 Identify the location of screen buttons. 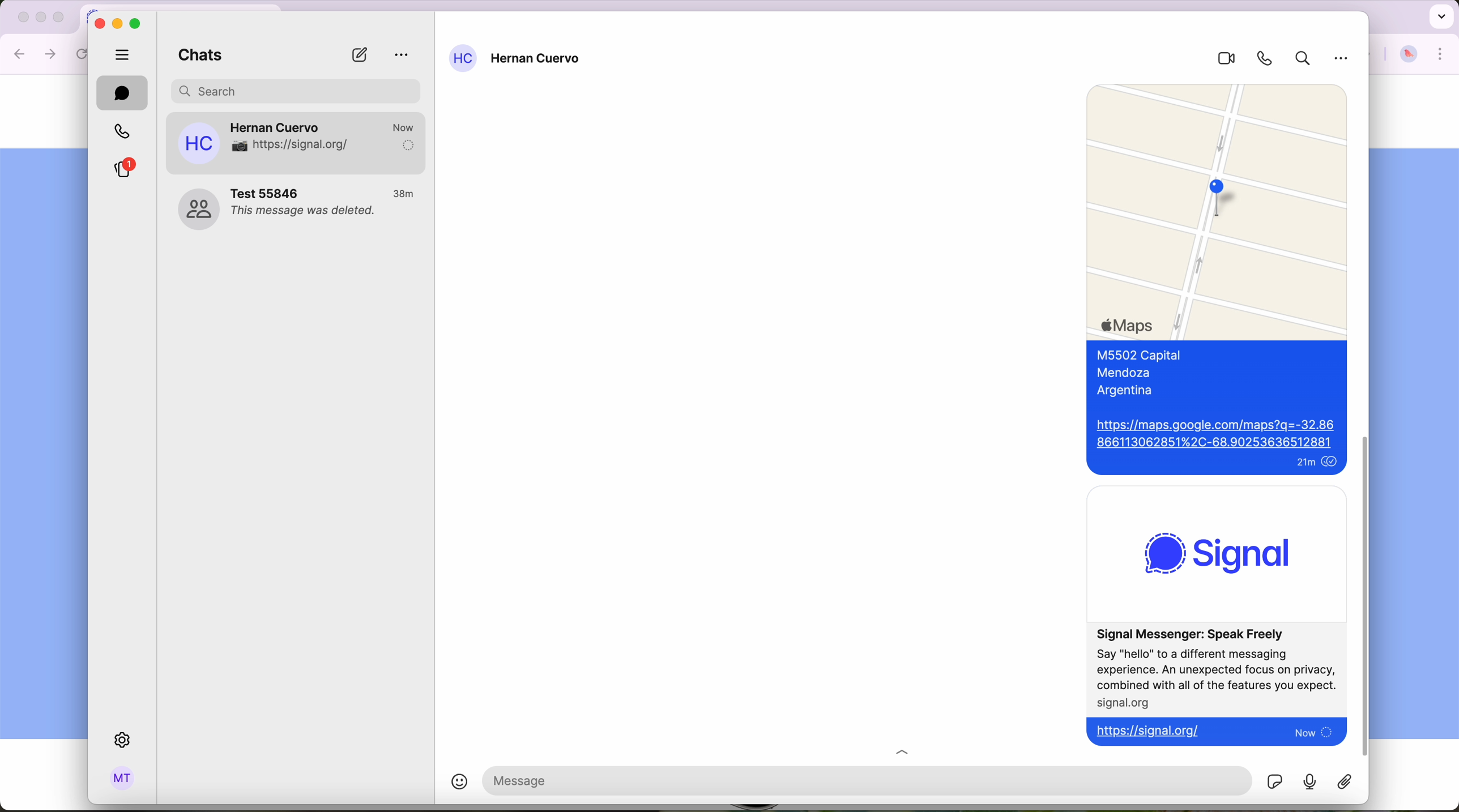
(118, 23).